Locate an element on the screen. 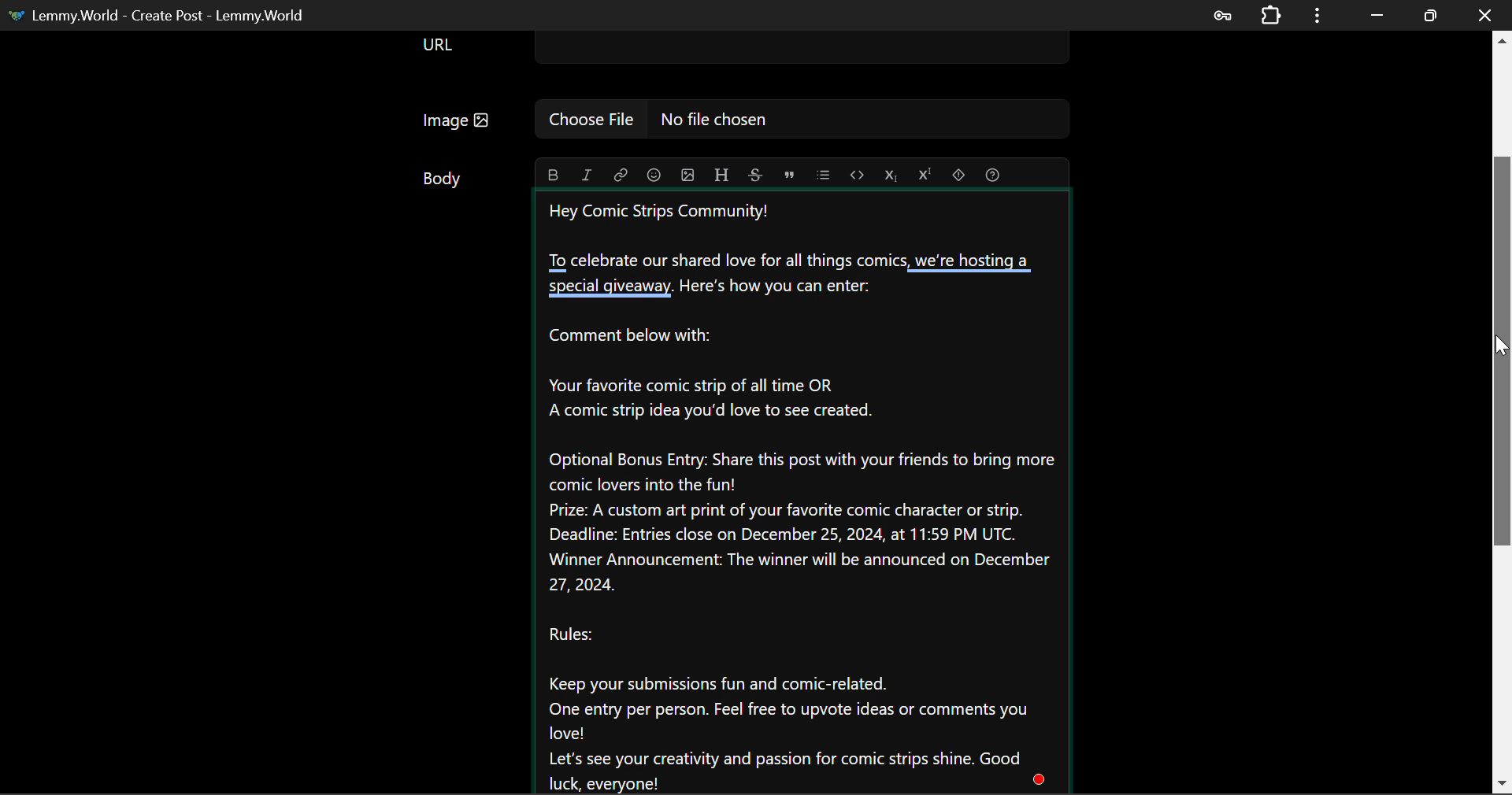  Options is located at coordinates (1315, 15).